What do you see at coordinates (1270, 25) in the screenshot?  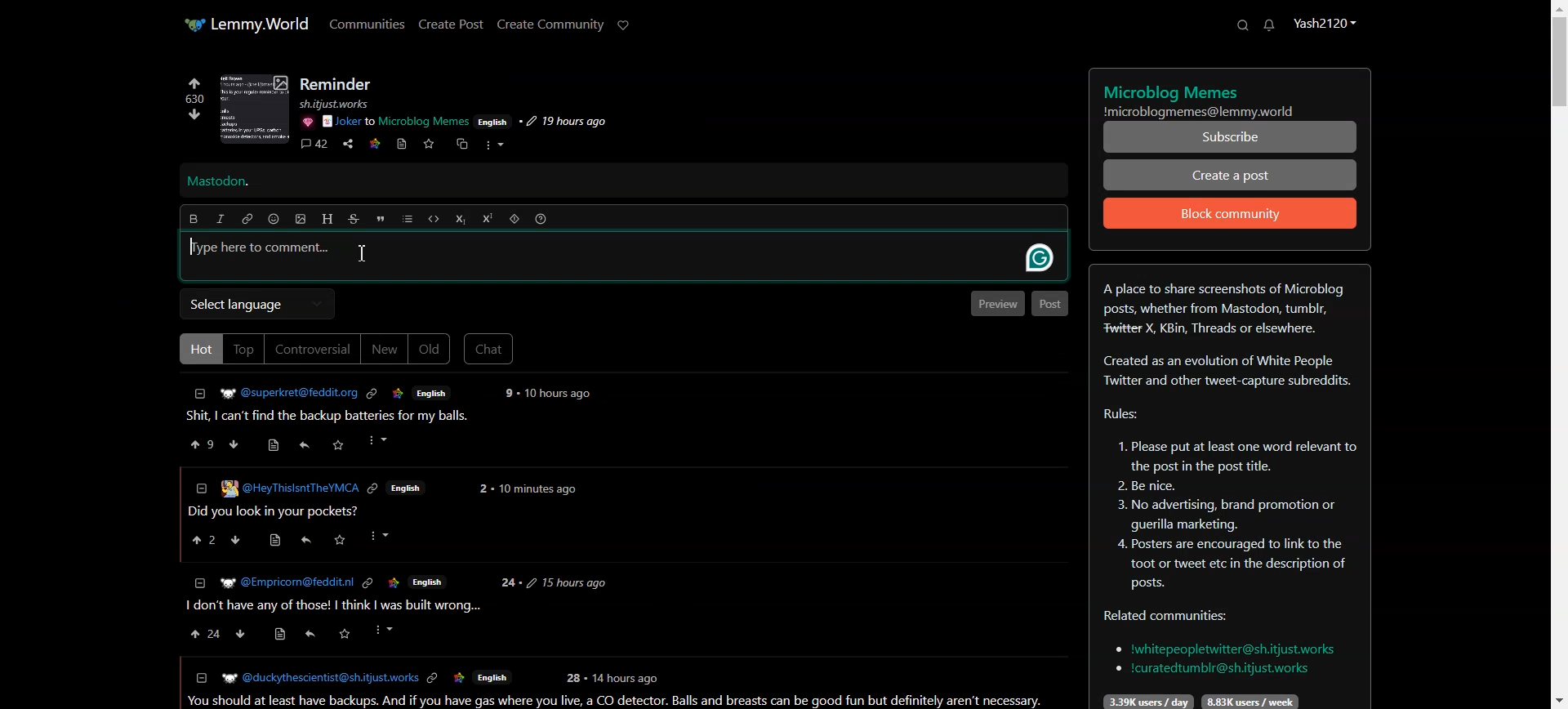 I see `Unread Messages` at bounding box center [1270, 25].